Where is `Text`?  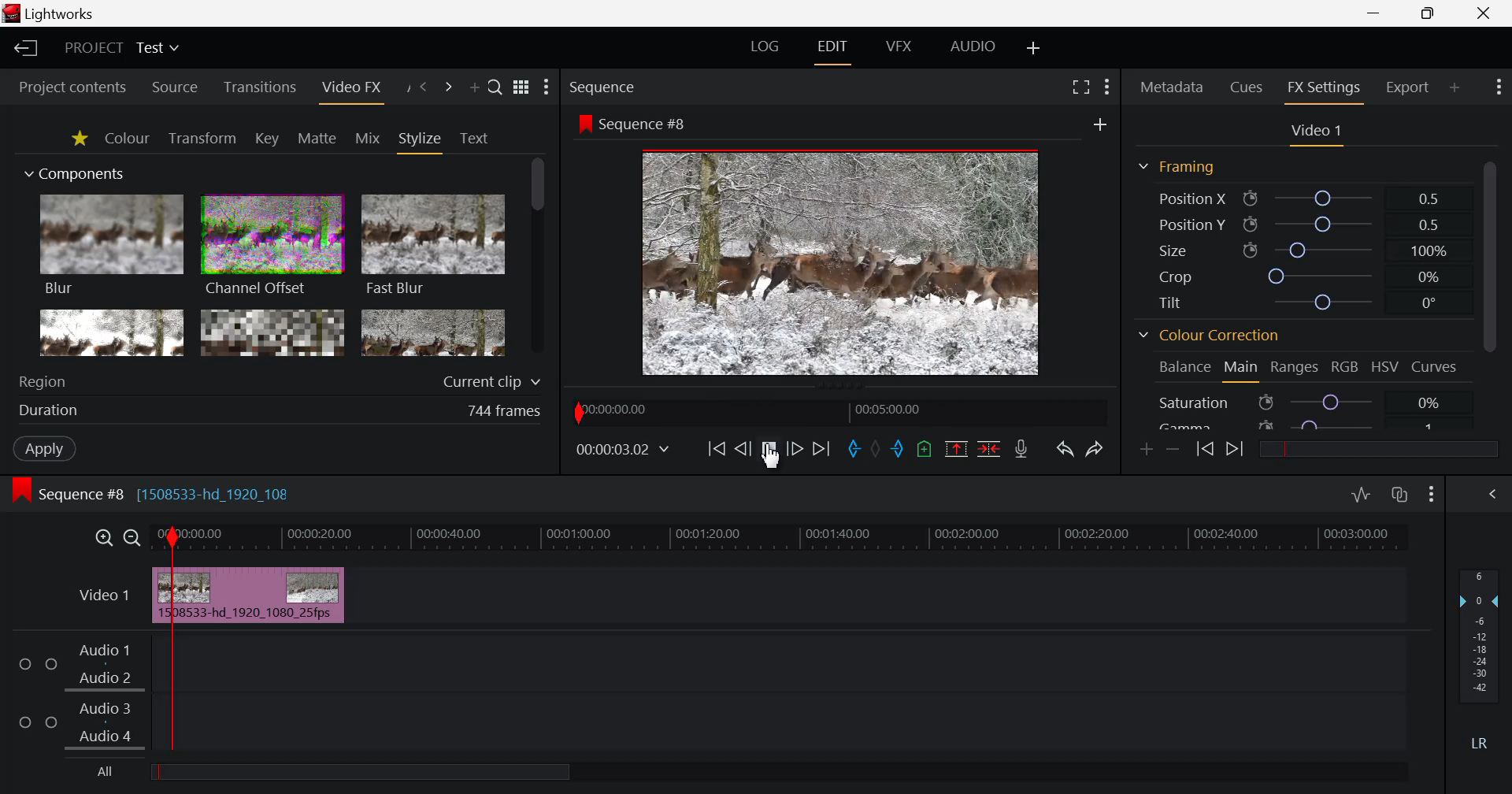 Text is located at coordinates (474, 139).